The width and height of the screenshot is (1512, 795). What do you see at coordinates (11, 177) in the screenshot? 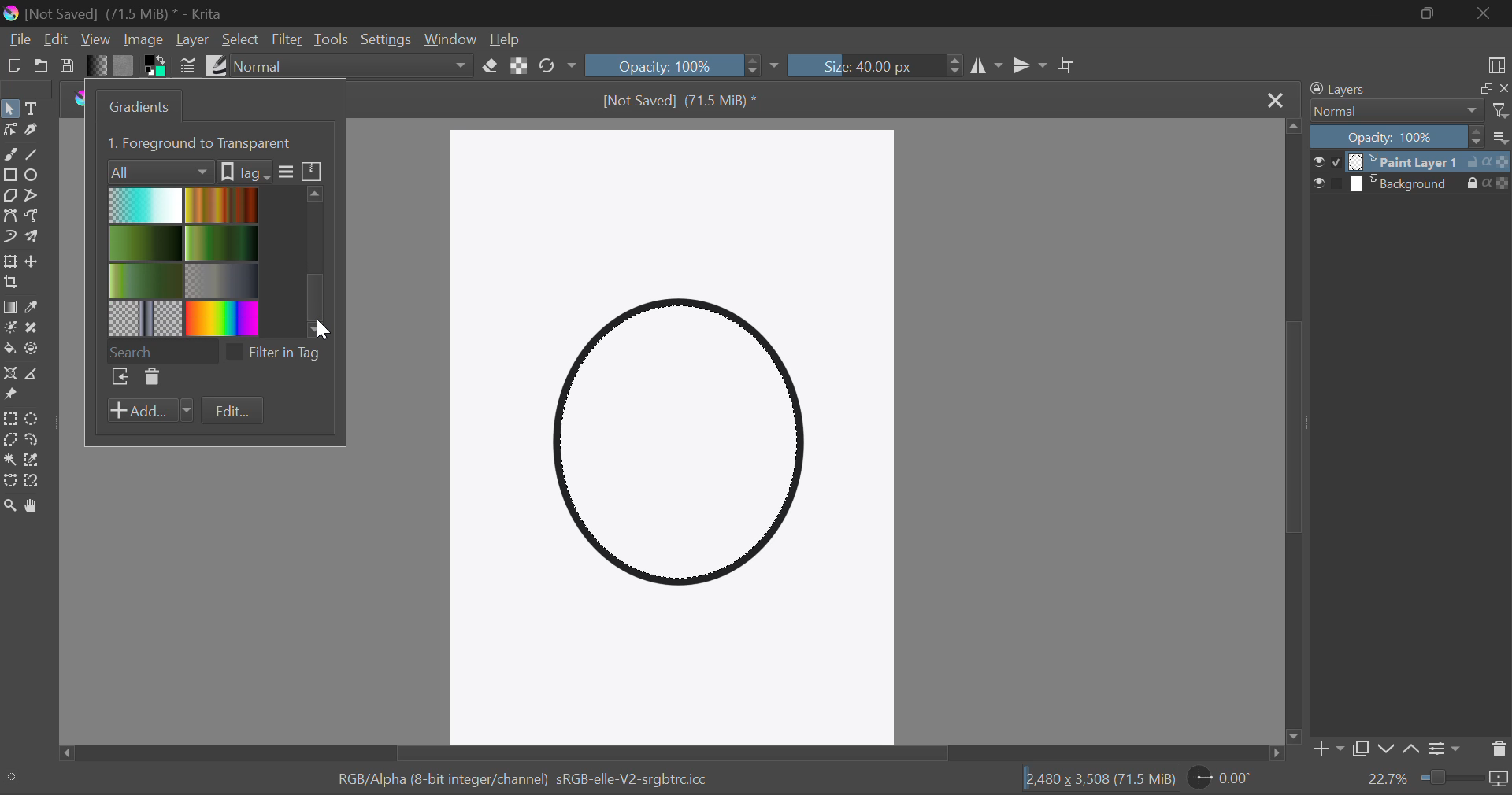
I see `Rectangle` at bounding box center [11, 177].